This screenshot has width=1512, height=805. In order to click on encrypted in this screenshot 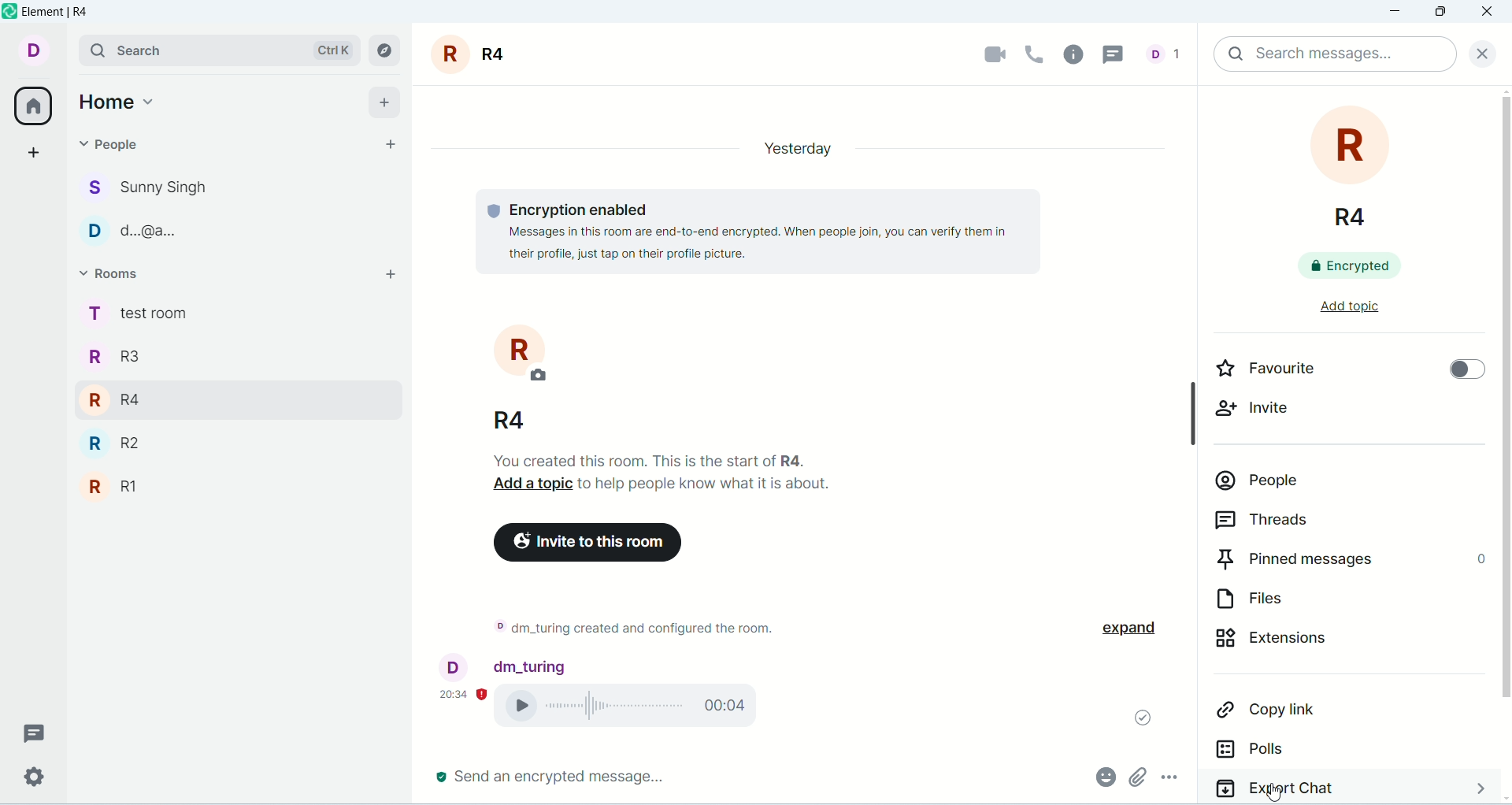, I will do `click(1362, 265)`.